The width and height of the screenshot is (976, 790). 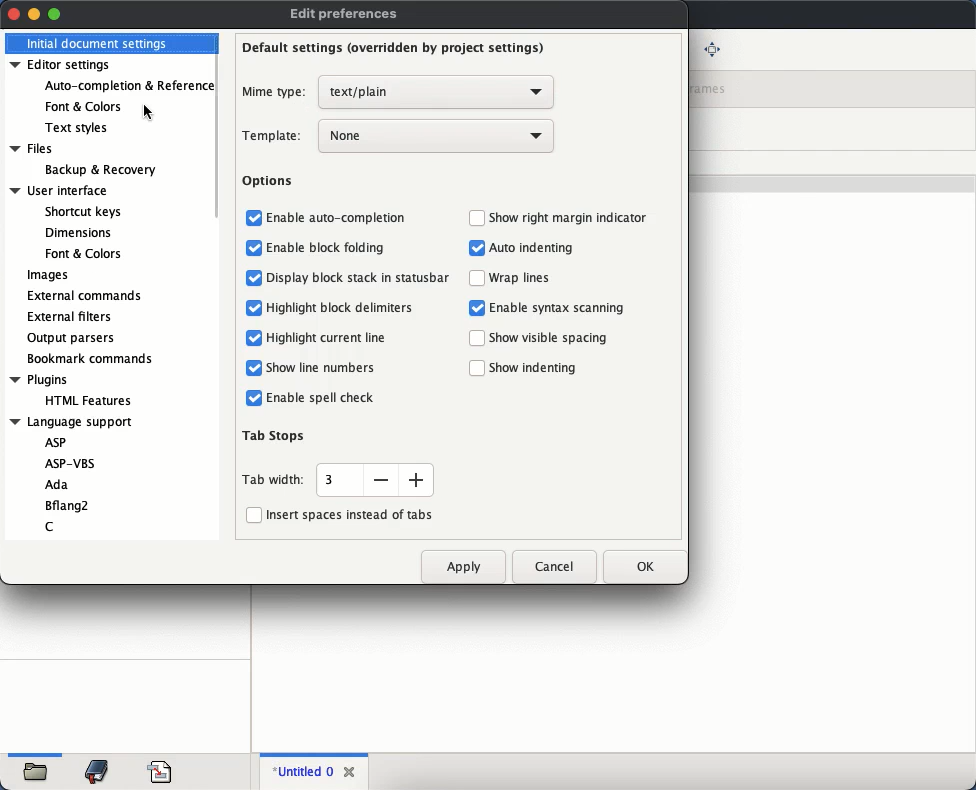 I want to click on reduce tab width, so click(x=380, y=479).